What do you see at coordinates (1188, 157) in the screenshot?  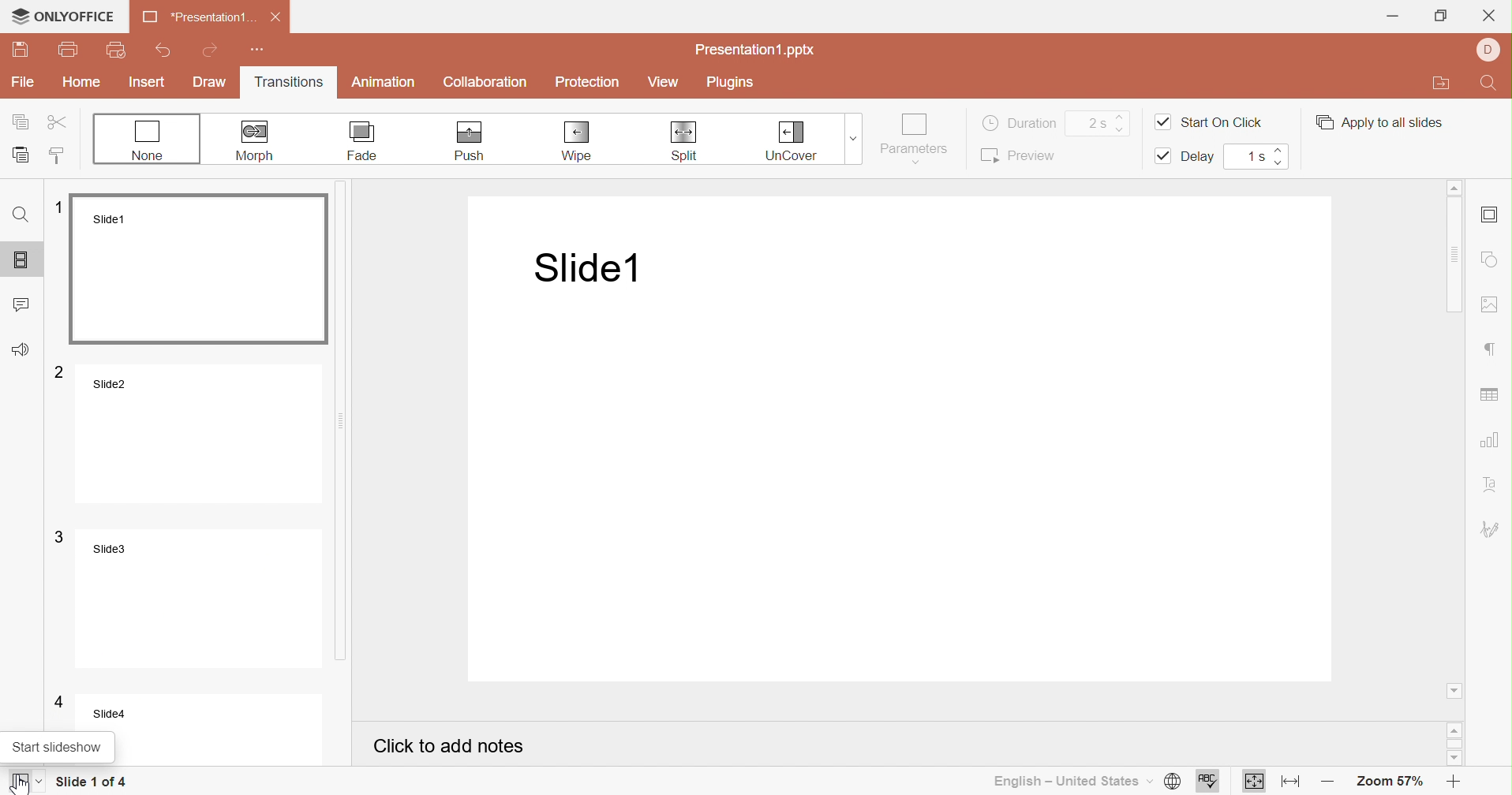 I see `Delay` at bounding box center [1188, 157].